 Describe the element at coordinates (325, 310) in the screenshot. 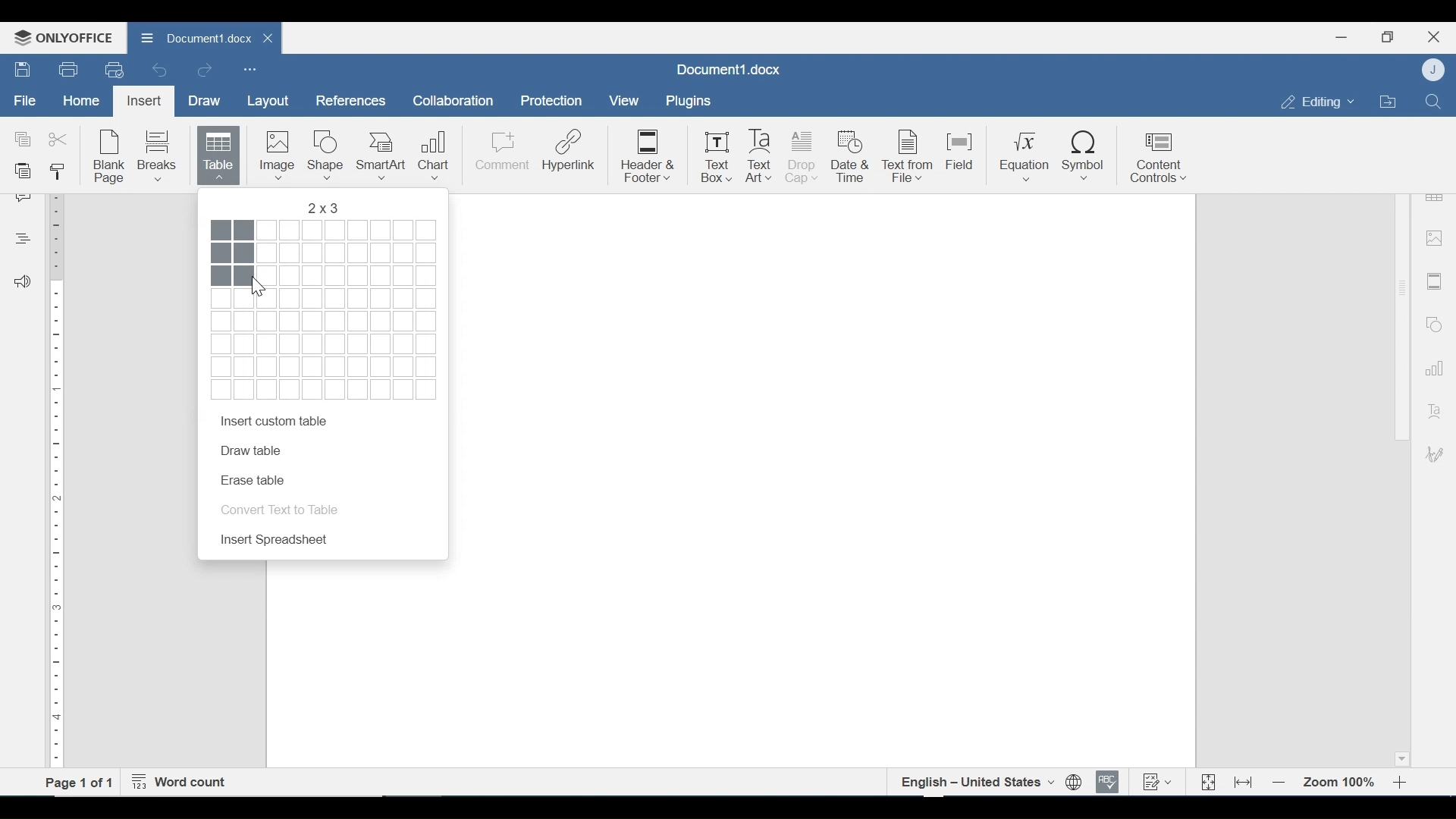

I see `Squares` at that location.